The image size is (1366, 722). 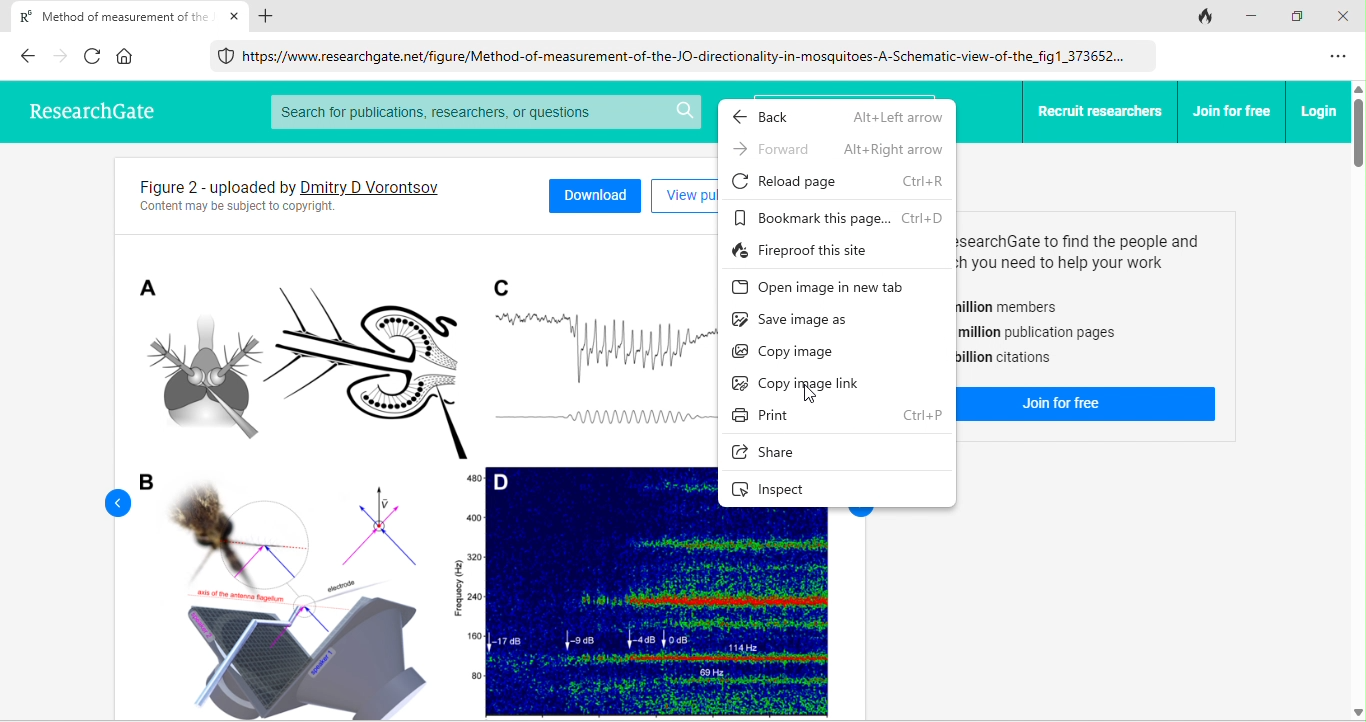 I want to click on research gate, so click(x=88, y=108).